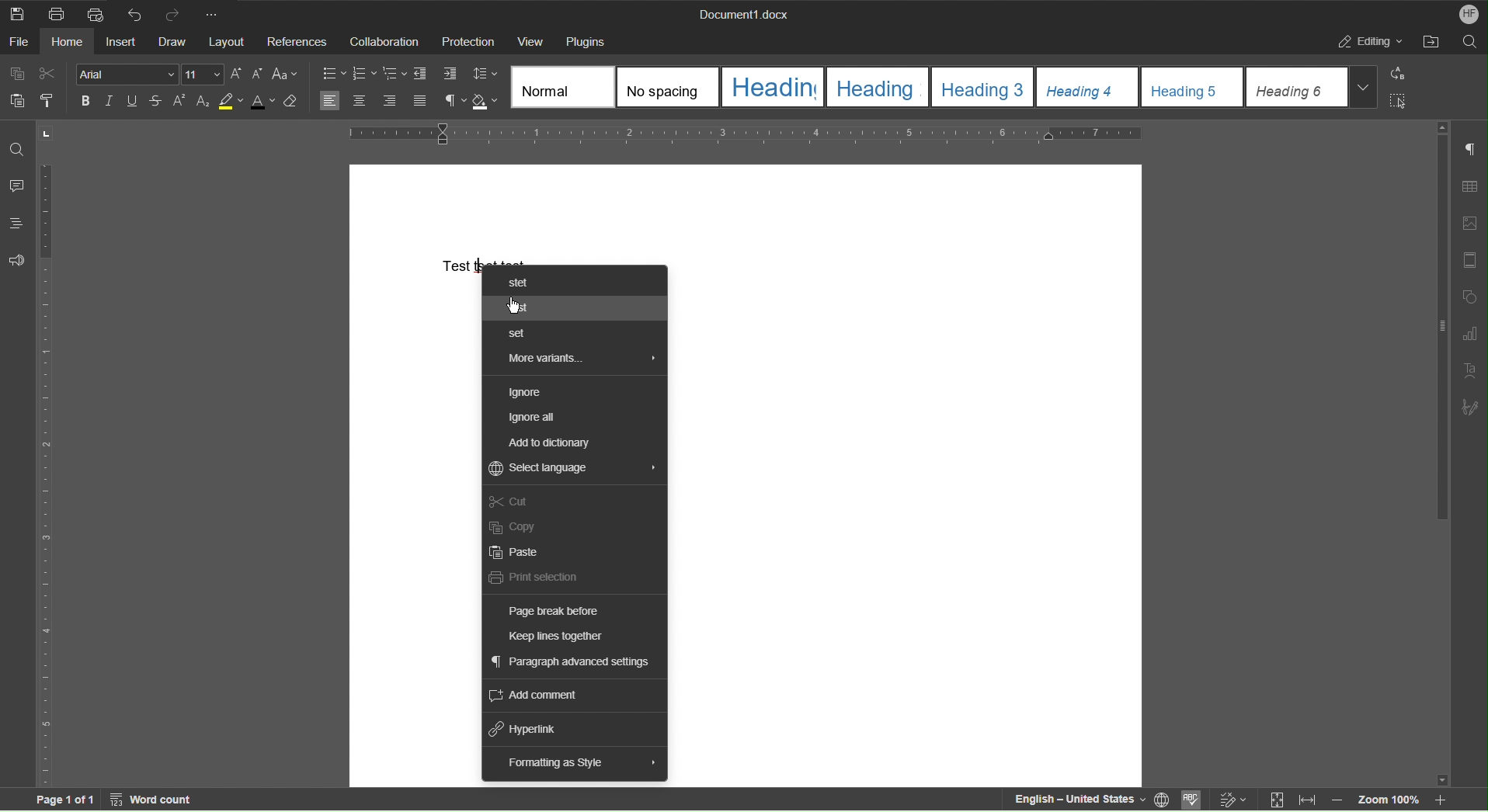 This screenshot has width=1488, height=812. Describe the element at coordinates (131, 12) in the screenshot. I see `Undo` at that location.